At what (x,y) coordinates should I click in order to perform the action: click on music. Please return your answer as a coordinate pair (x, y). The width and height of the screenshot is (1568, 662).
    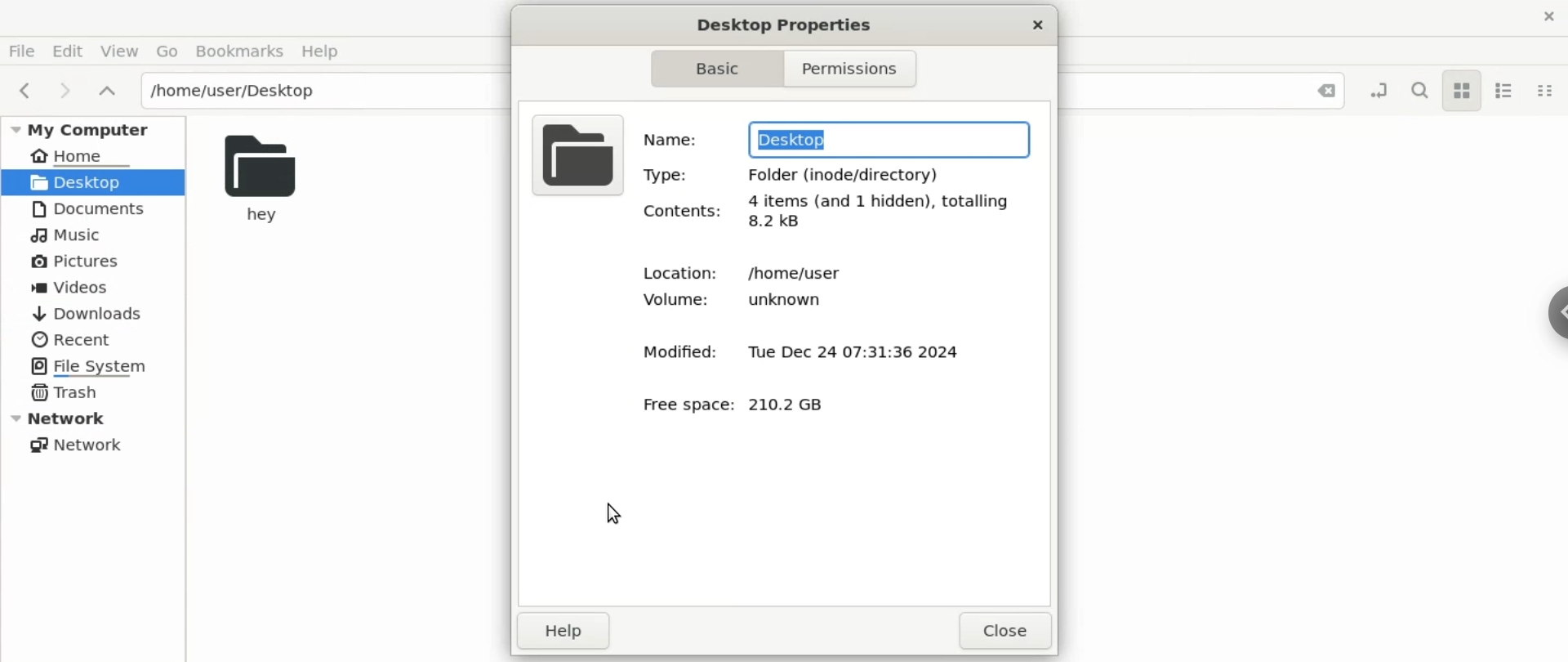
    Looking at the image, I should click on (65, 234).